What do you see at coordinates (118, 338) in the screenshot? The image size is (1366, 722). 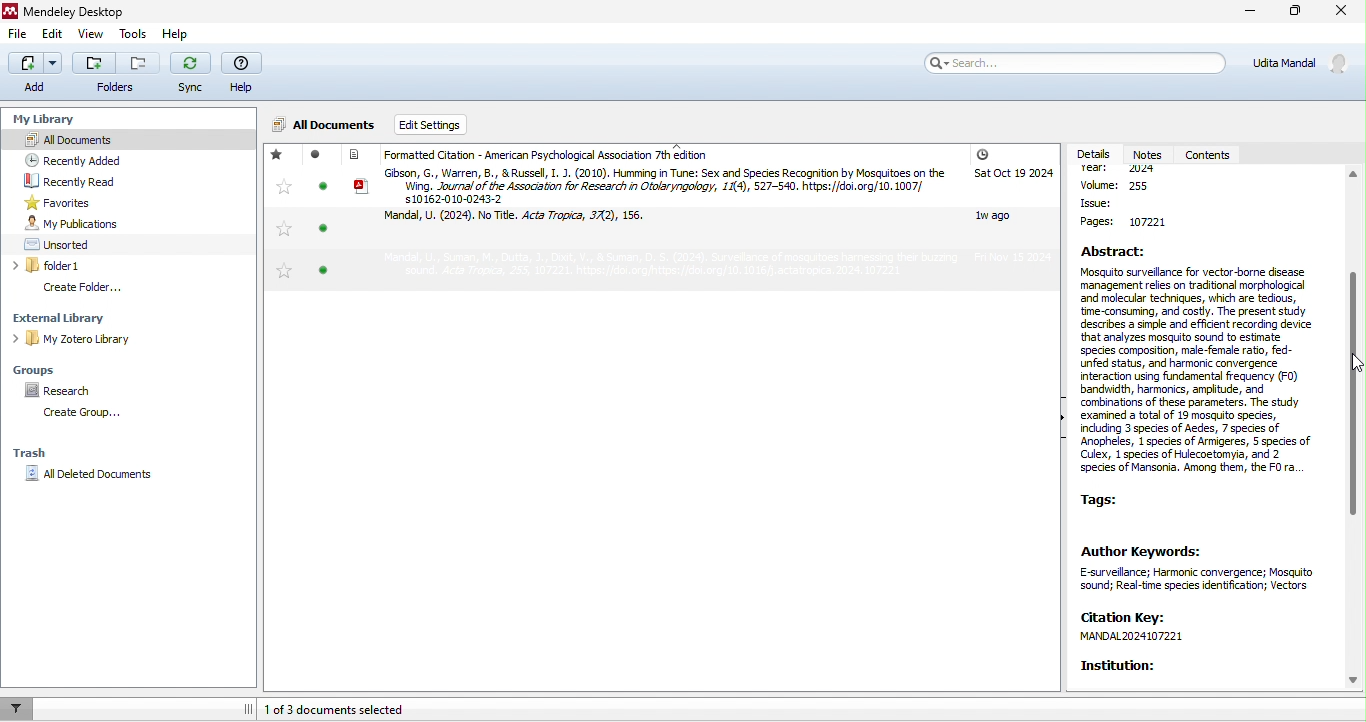 I see `my zotero library` at bounding box center [118, 338].